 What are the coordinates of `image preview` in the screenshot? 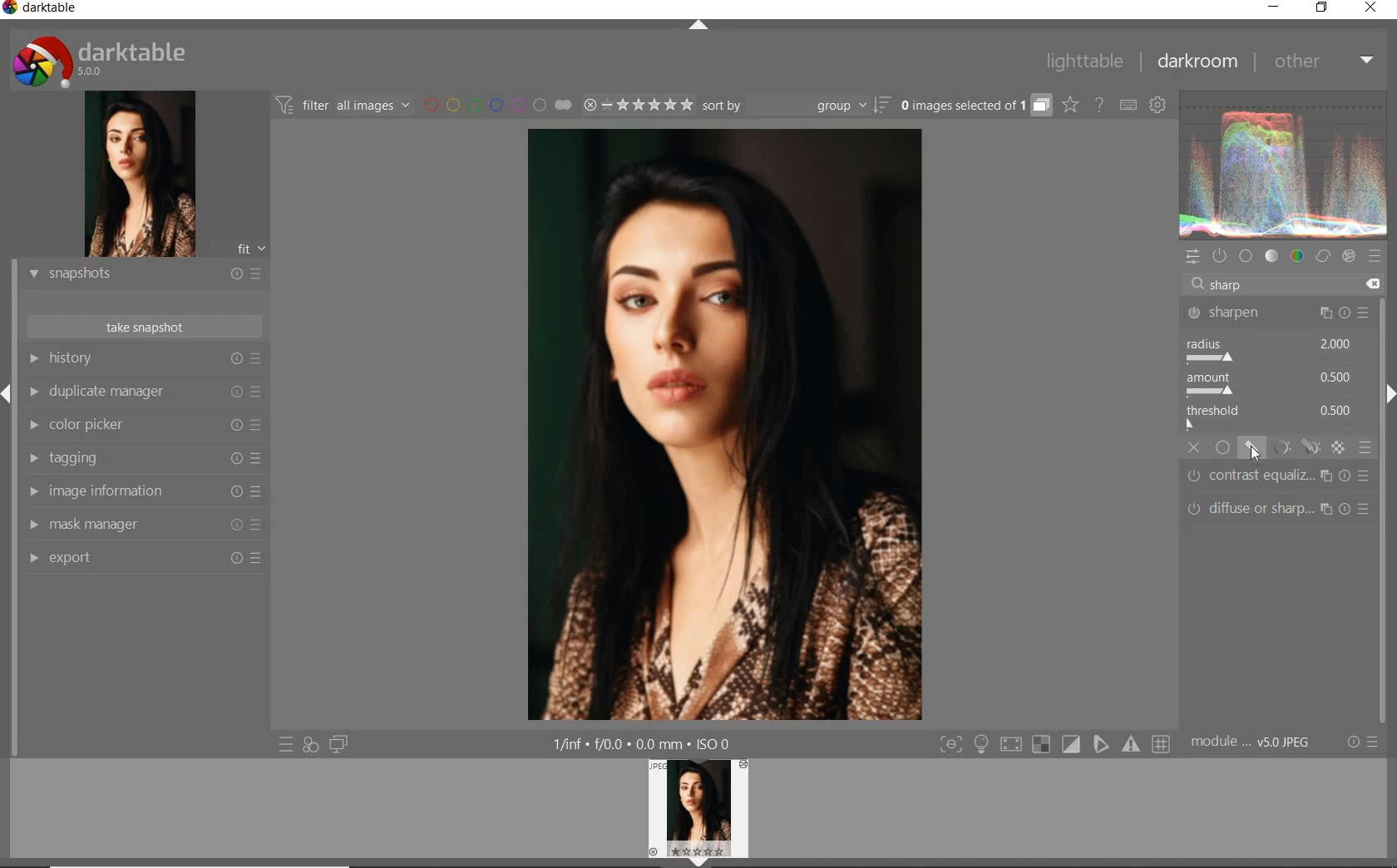 It's located at (141, 174).